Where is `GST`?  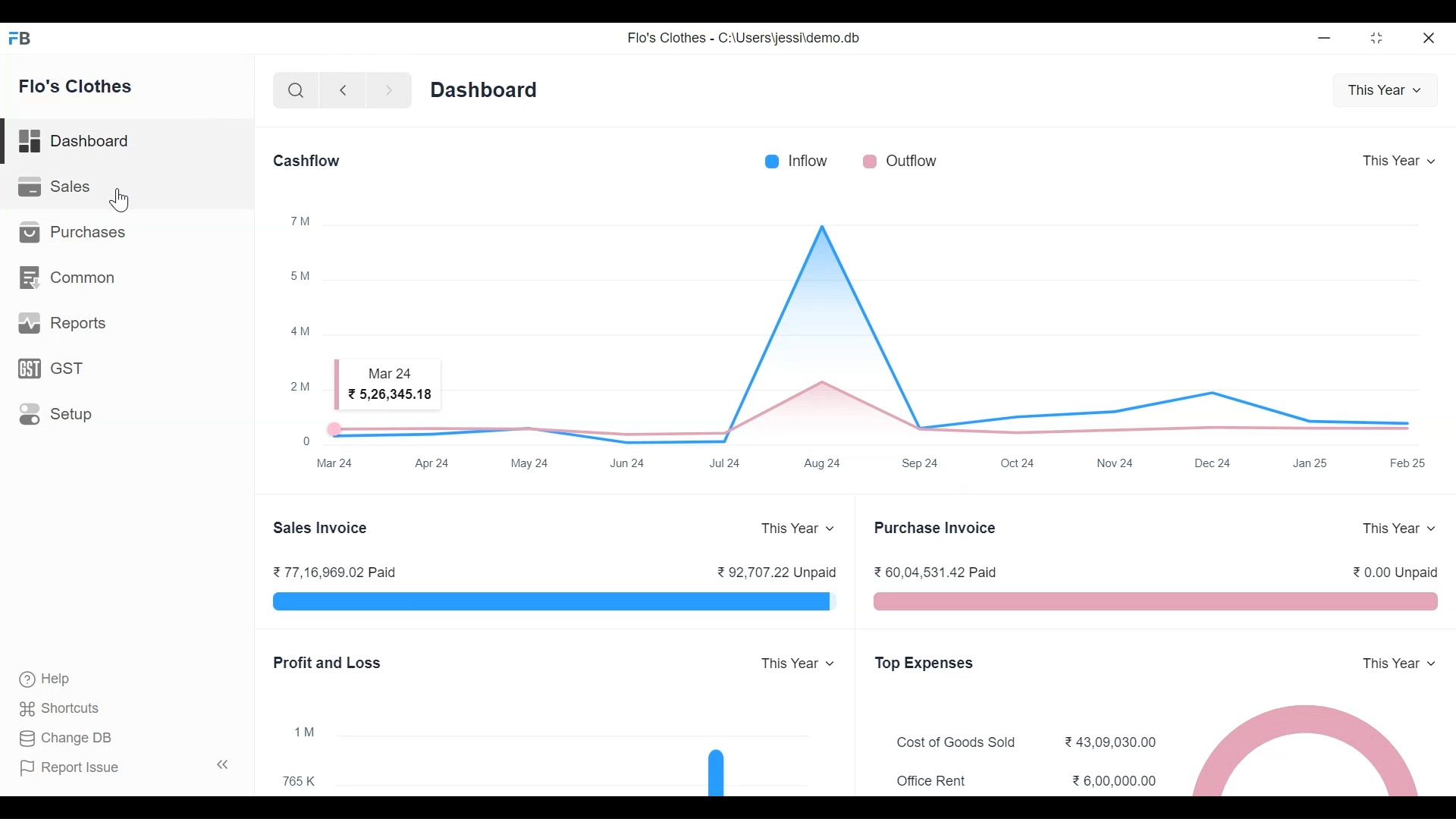 GST is located at coordinates (53, 367).